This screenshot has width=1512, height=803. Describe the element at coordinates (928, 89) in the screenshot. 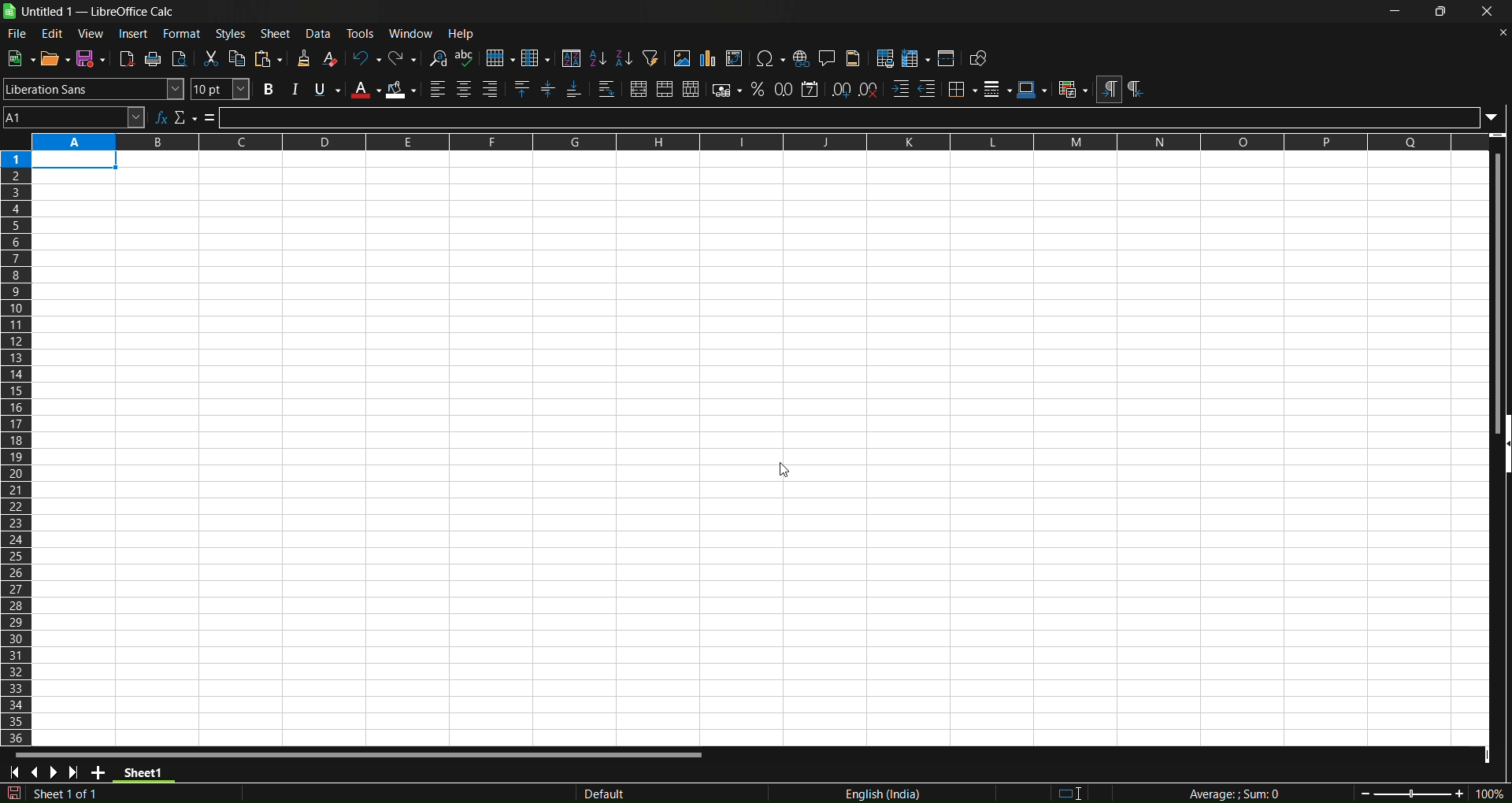

I see `decrease indent` at that location.